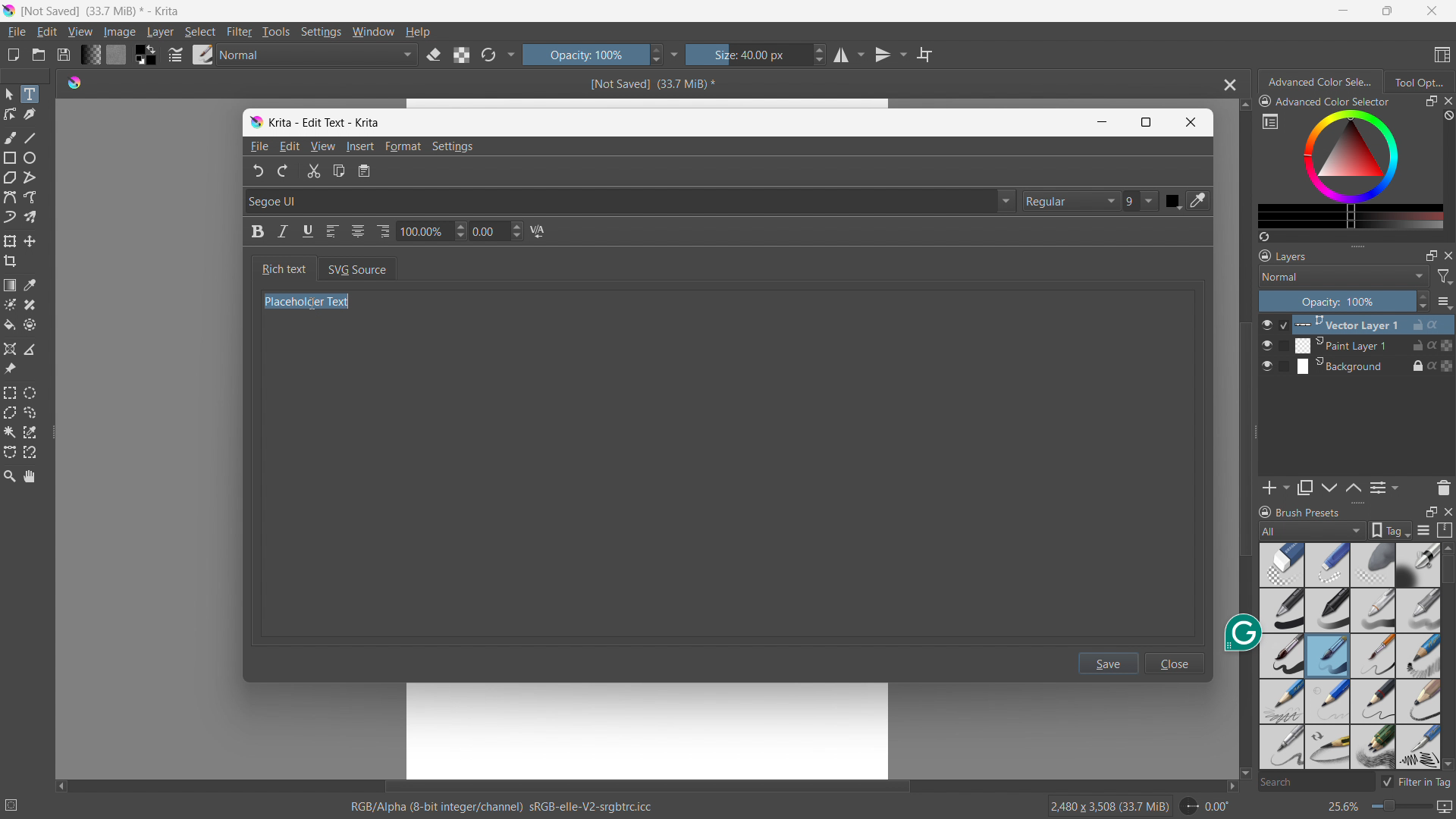 The height and width of the screenshot is (819, 1456). What do you see at coordinates (1447, 510) in the screenshot?
I see `close` at bounding box center [1447, 510].